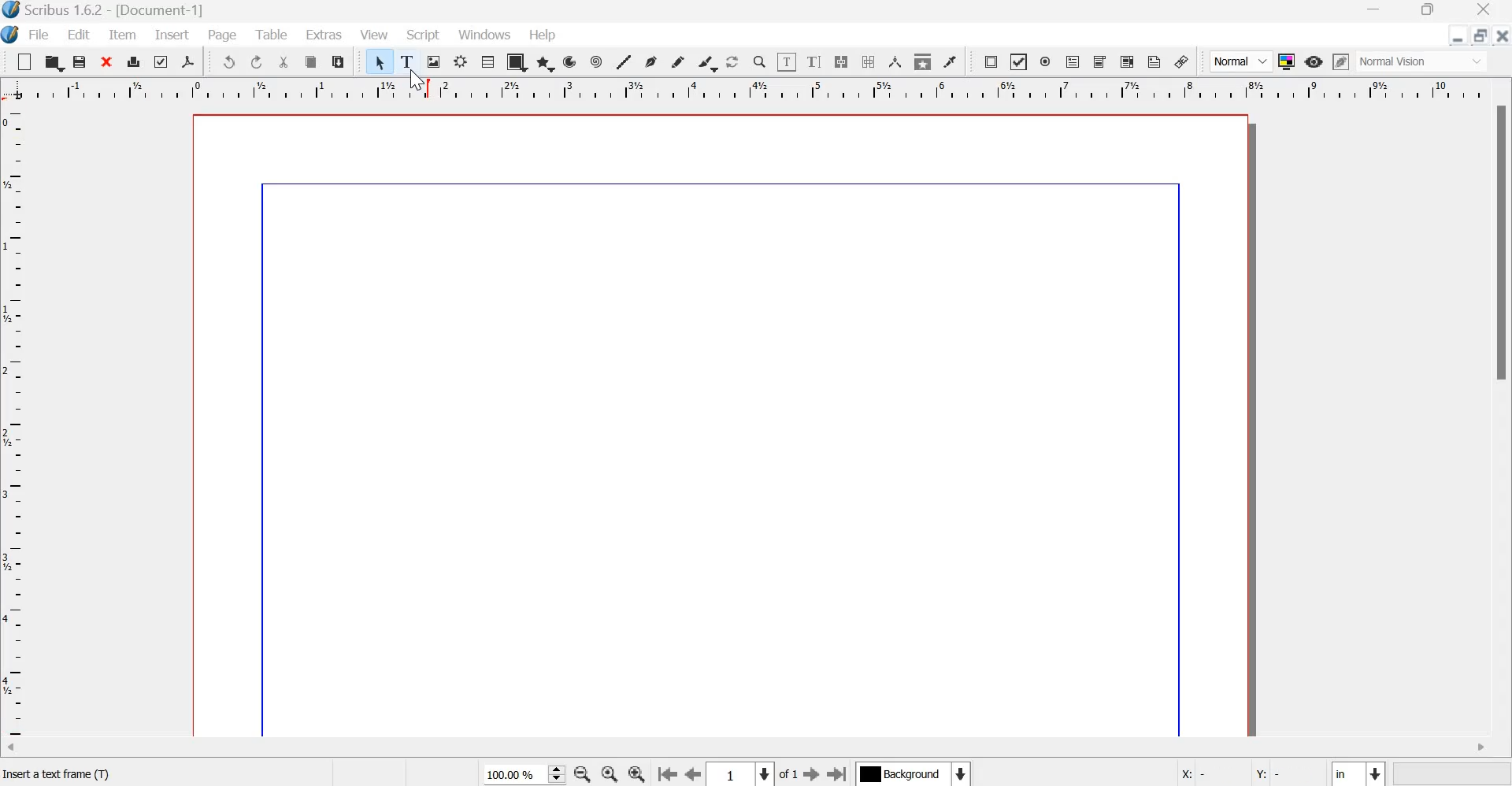  What do you see at coordinates (545, 35) in the screenshot?
I see `Help` at bounding box center [545, 35].